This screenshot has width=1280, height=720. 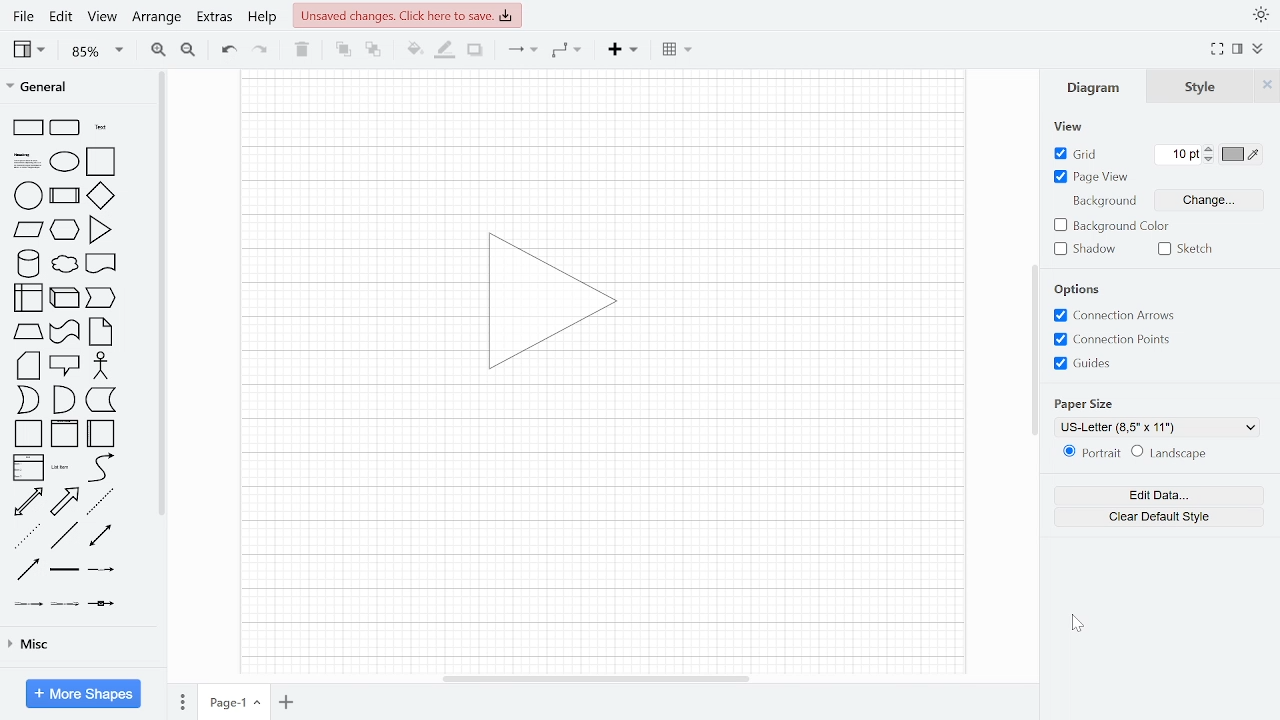 What do you see at coordinates (64, 298) in the screenshot?
I see `Cube` at bounding box center [64, 298].